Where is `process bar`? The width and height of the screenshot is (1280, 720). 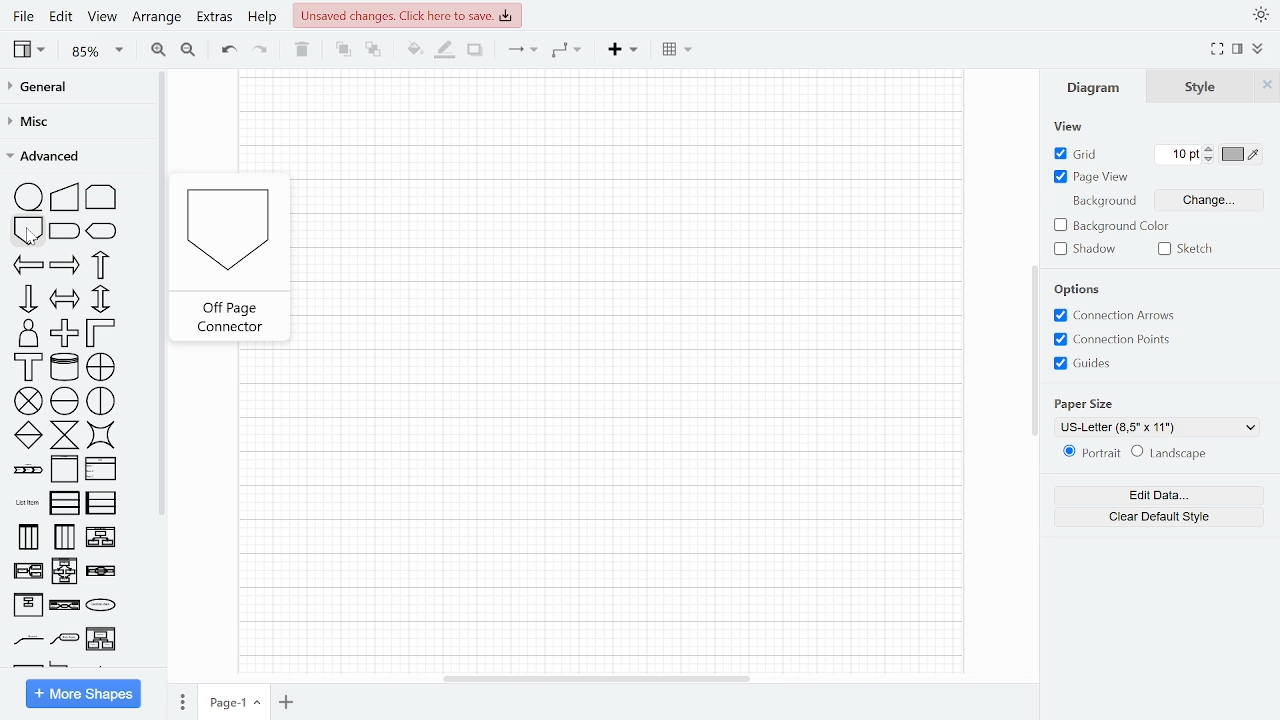 process bar is located at coordinates (27, 470).